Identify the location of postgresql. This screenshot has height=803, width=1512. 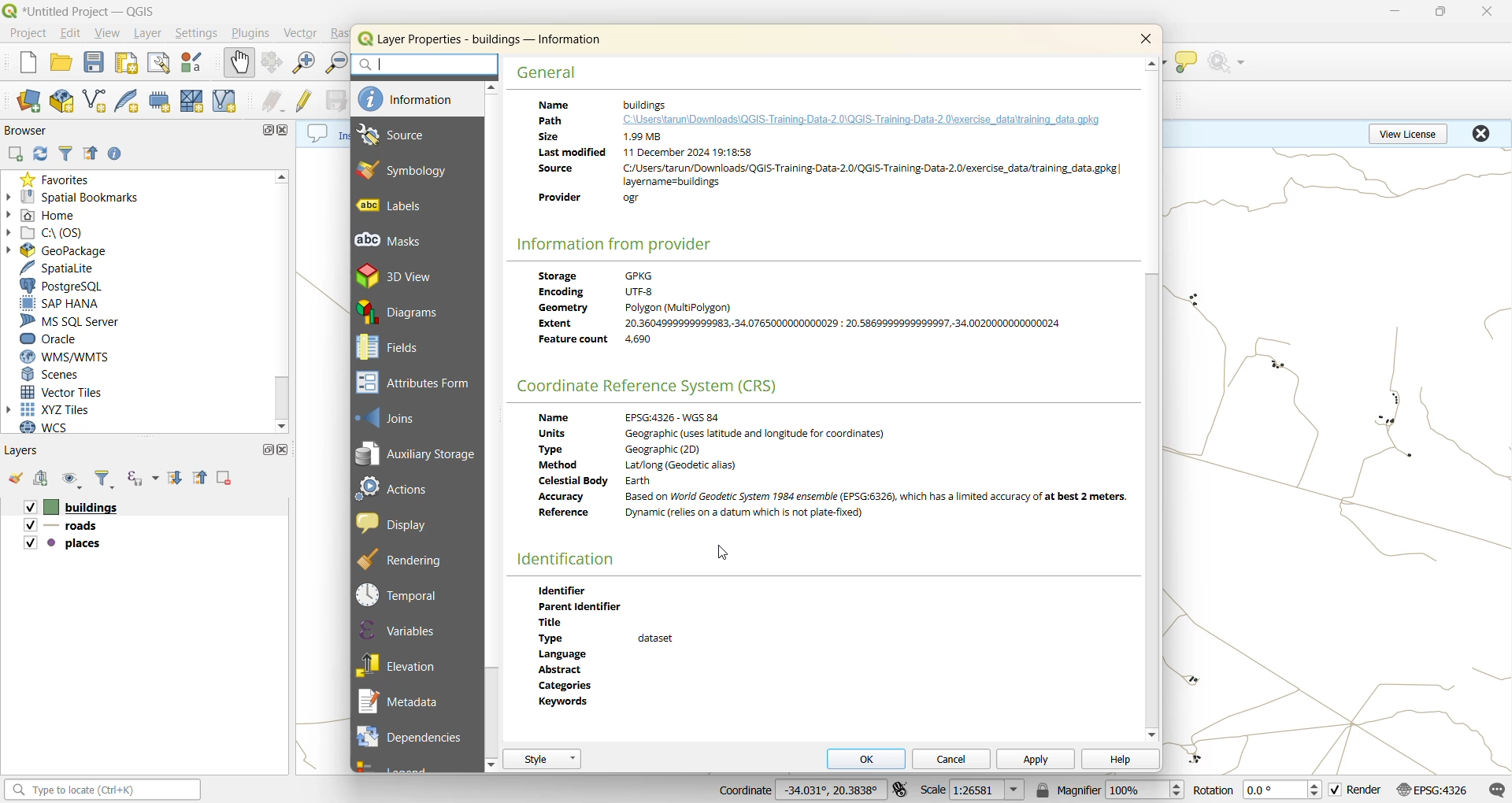
(69, 285).